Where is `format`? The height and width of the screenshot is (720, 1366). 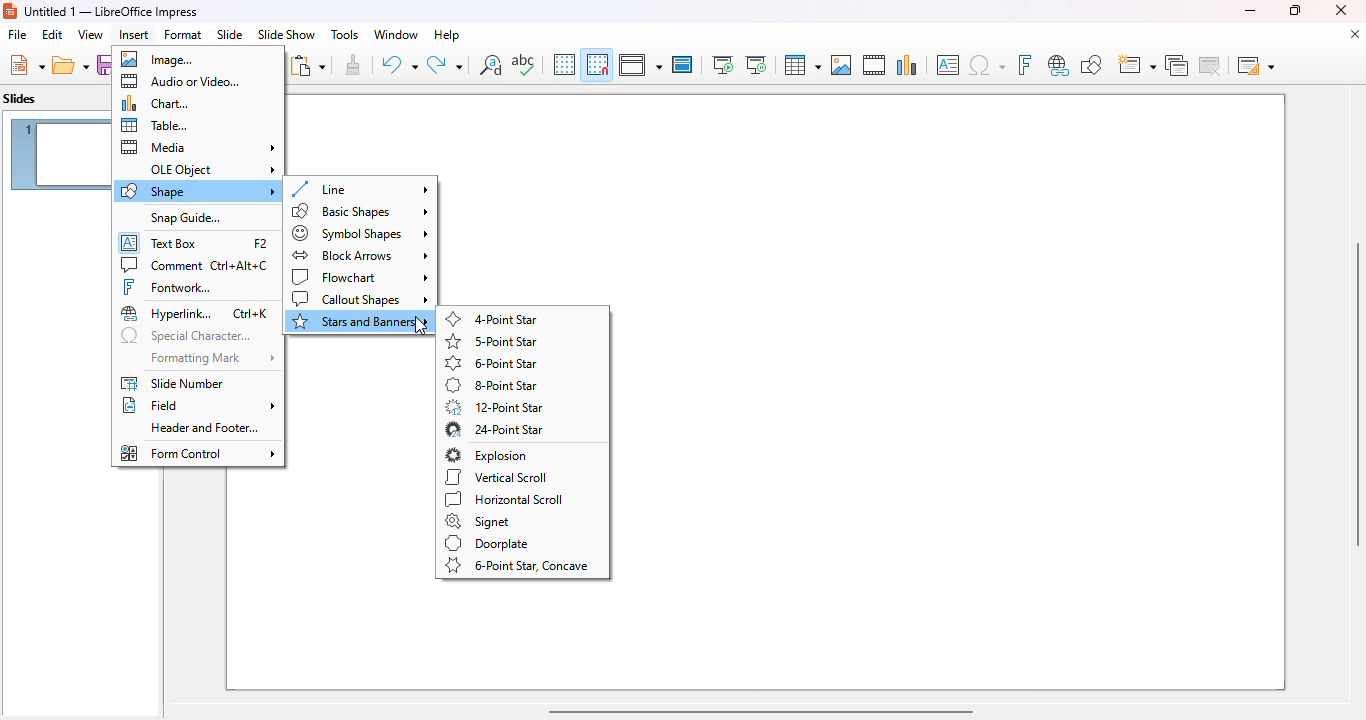 format is located at coordinates (183, 34).